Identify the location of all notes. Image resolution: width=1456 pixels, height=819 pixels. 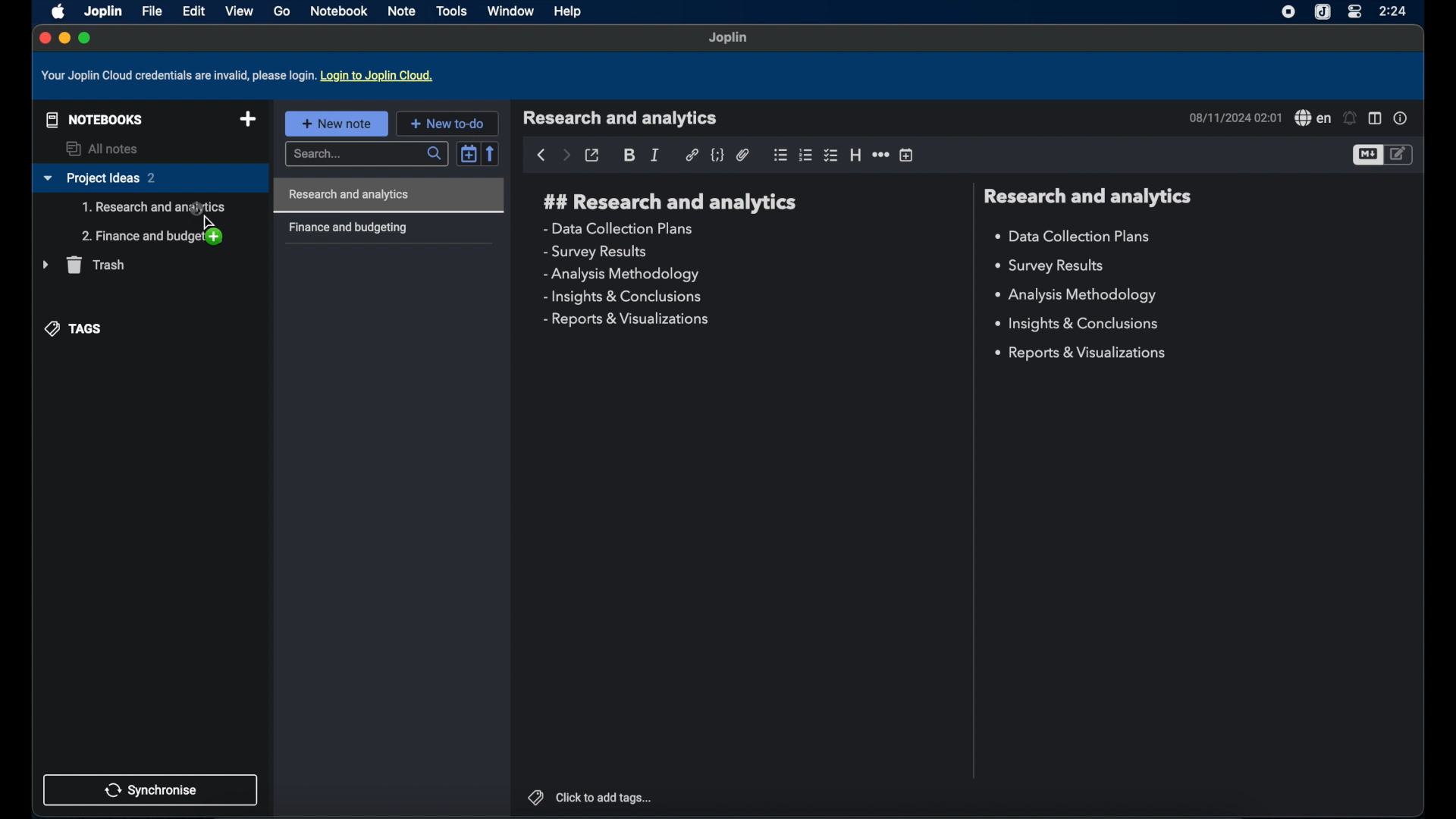
(104, 149).